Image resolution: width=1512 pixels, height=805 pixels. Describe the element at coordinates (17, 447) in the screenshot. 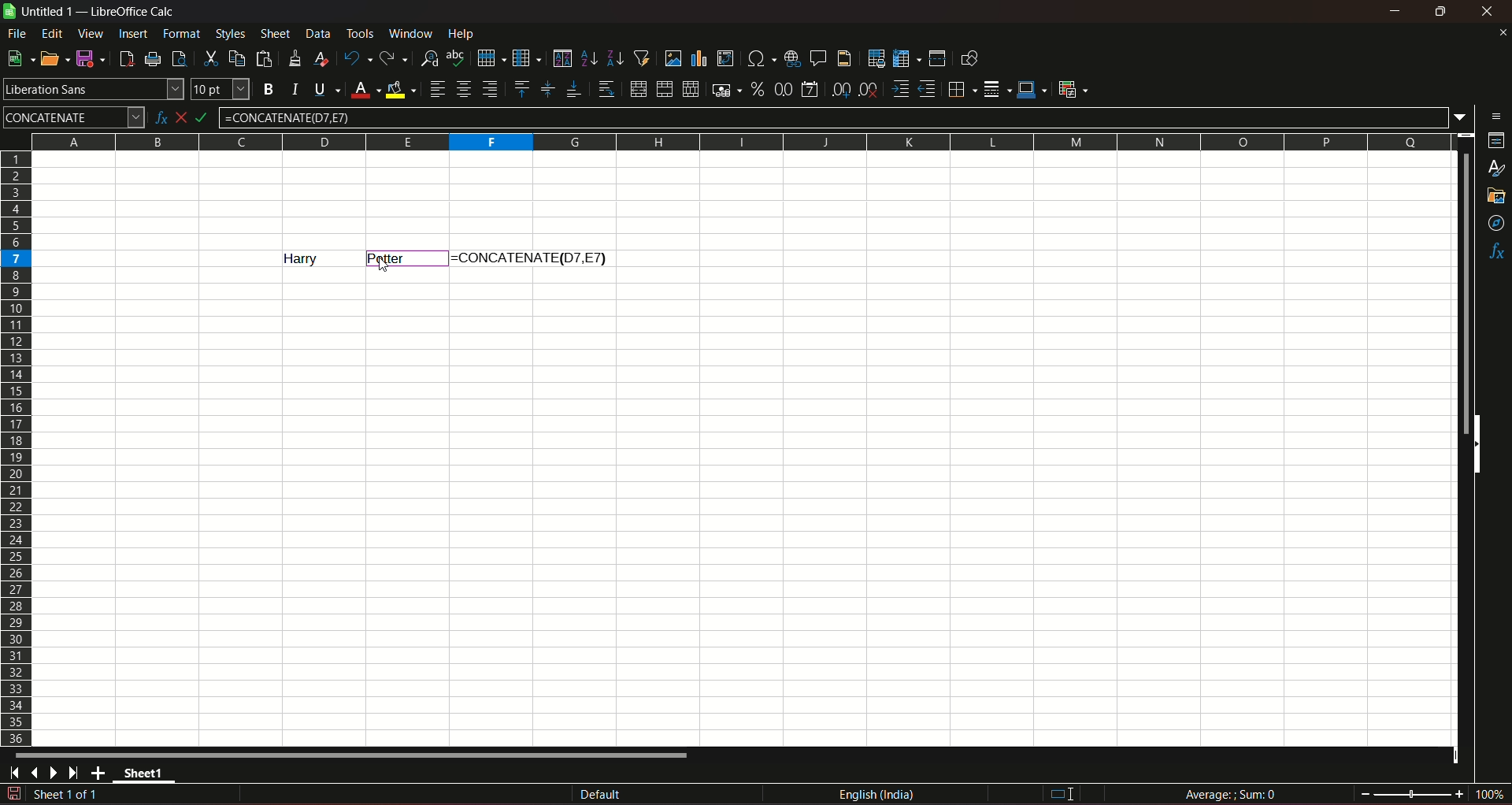

I see `rows` at that location.